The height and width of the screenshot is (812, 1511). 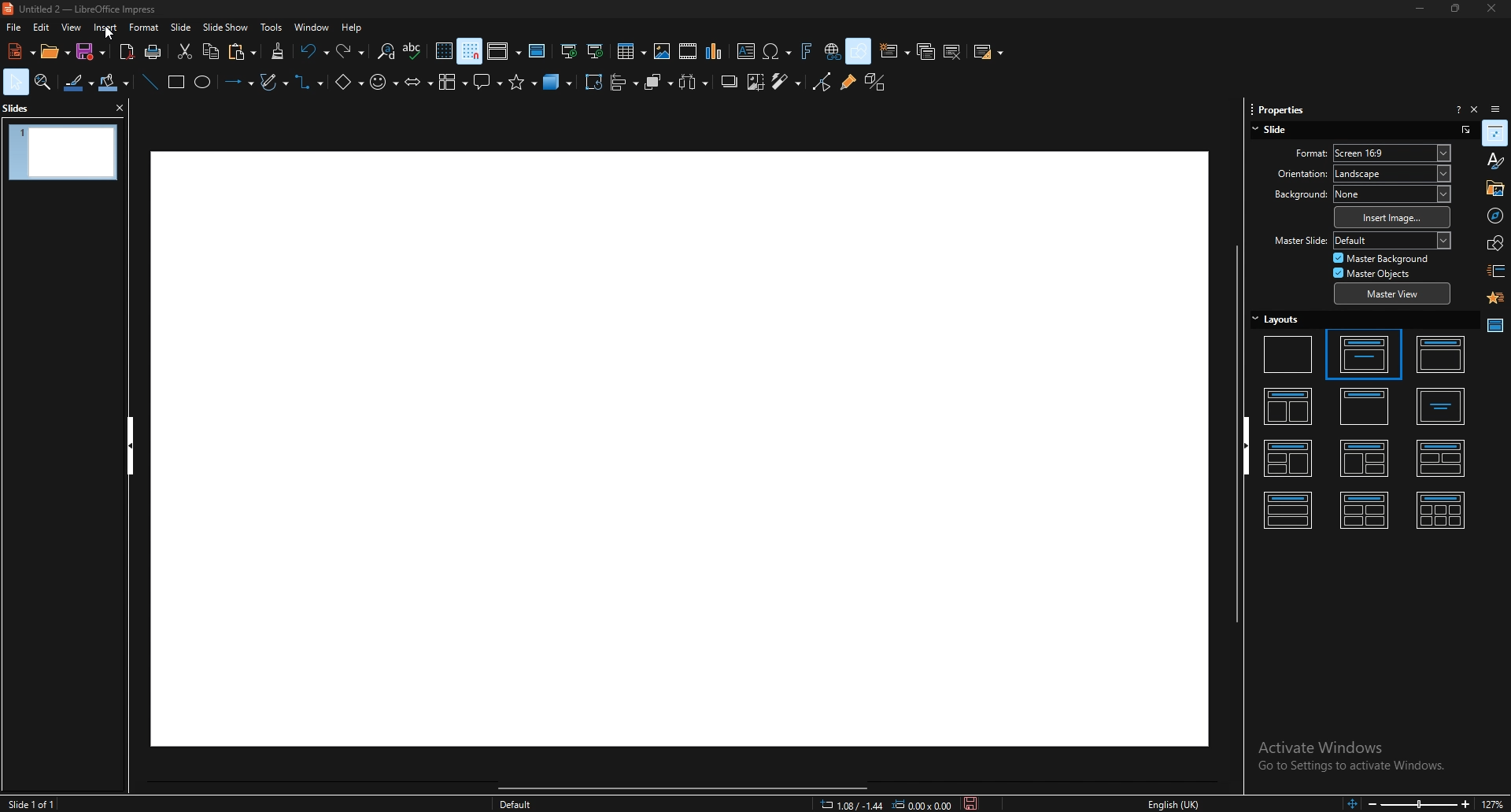 I want to click on insert hyperlink, so click(x=830, y=52).